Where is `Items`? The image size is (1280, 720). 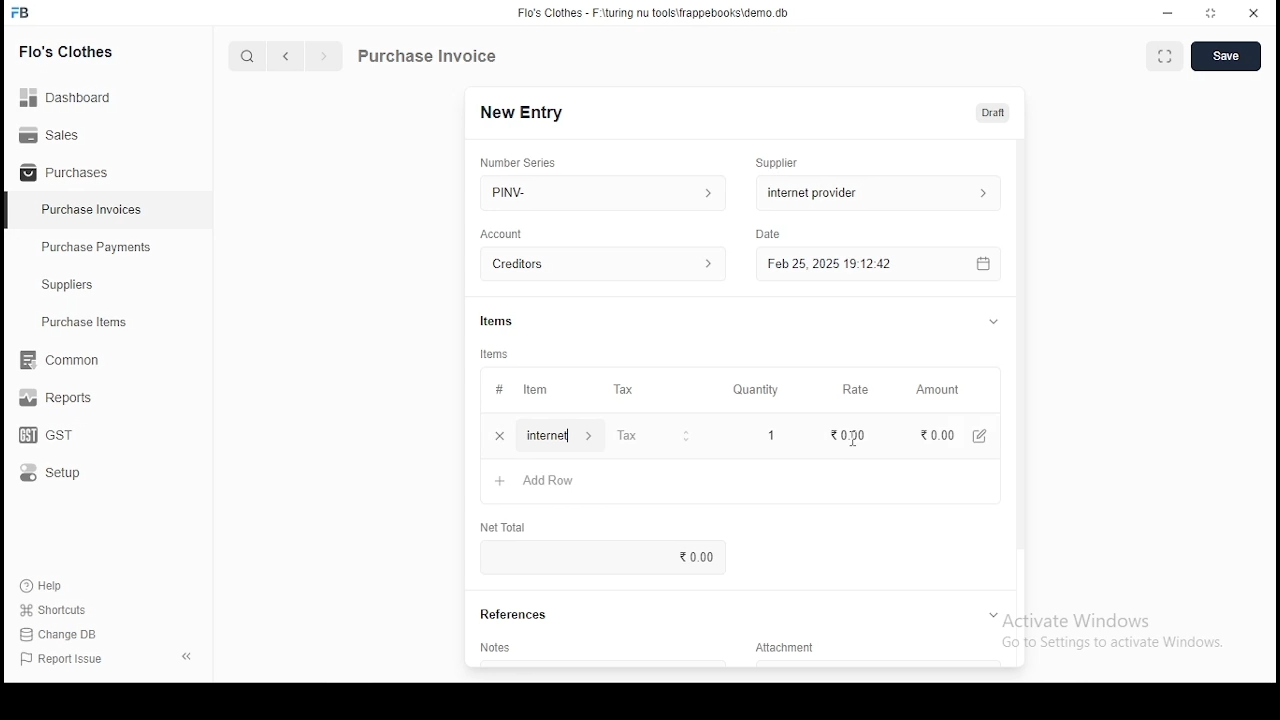 Items is located at coordinates (497, 319).